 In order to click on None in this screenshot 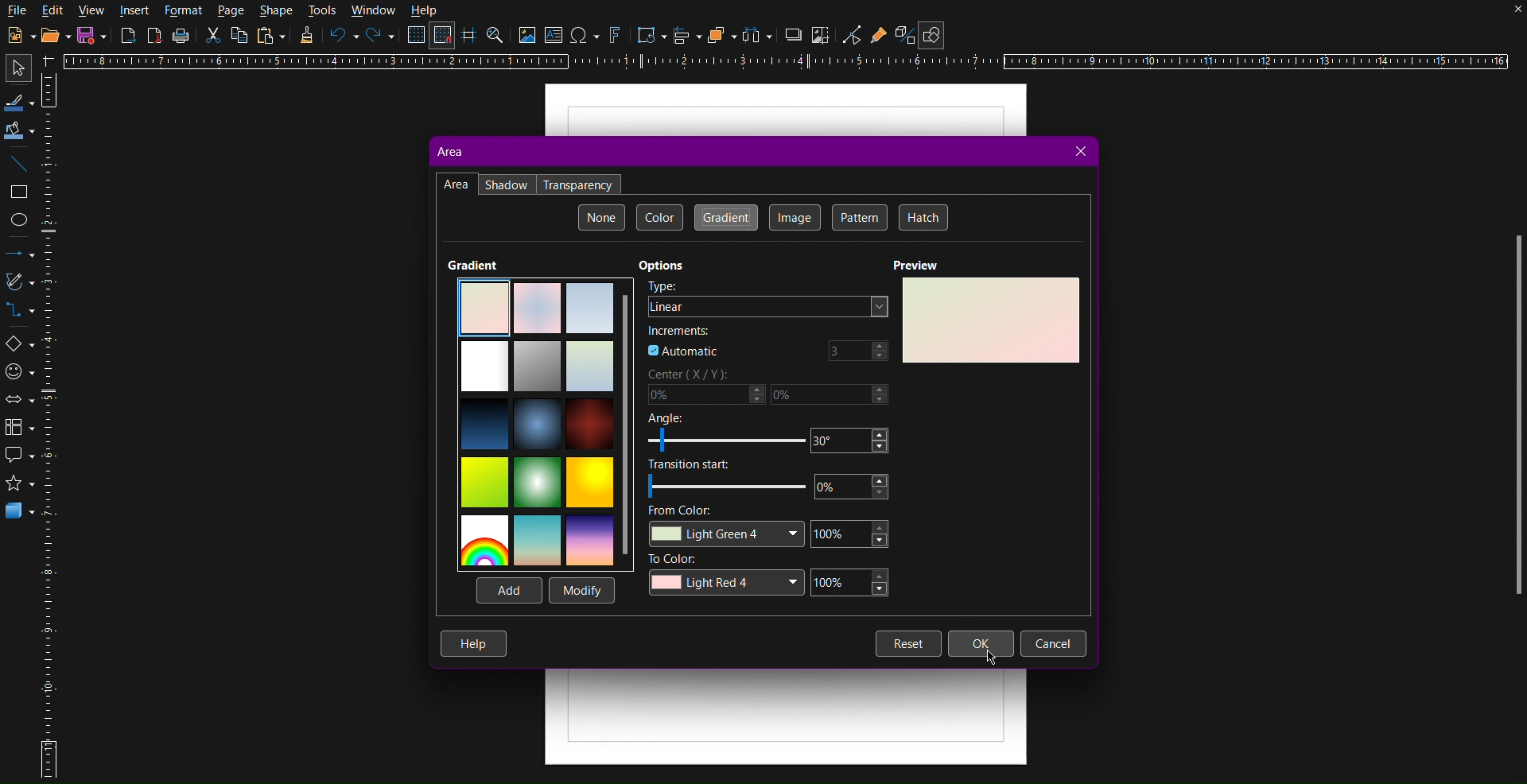, I will do `click(601, 217)`.